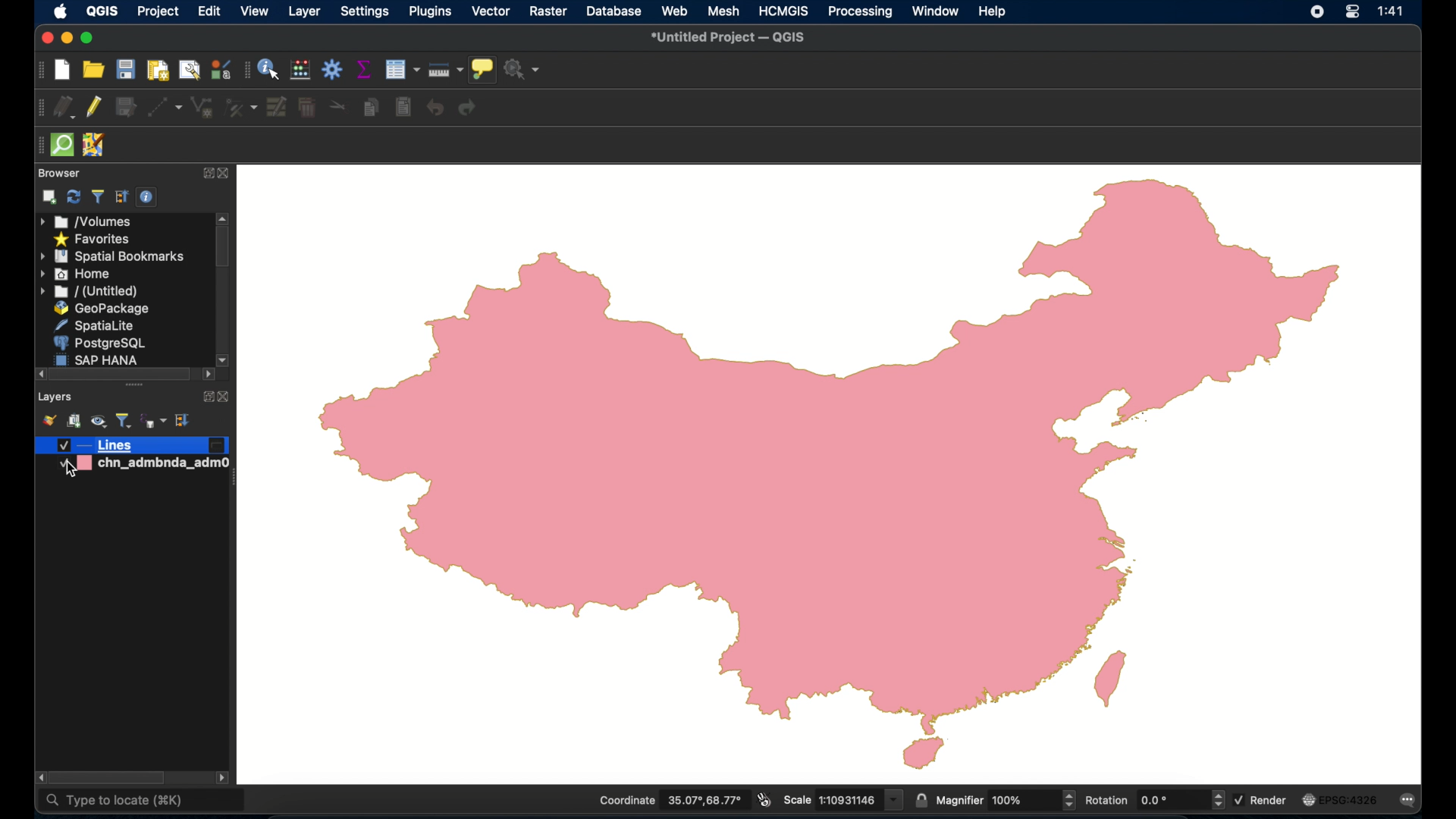  I want to click on time, so click(1394, 11).